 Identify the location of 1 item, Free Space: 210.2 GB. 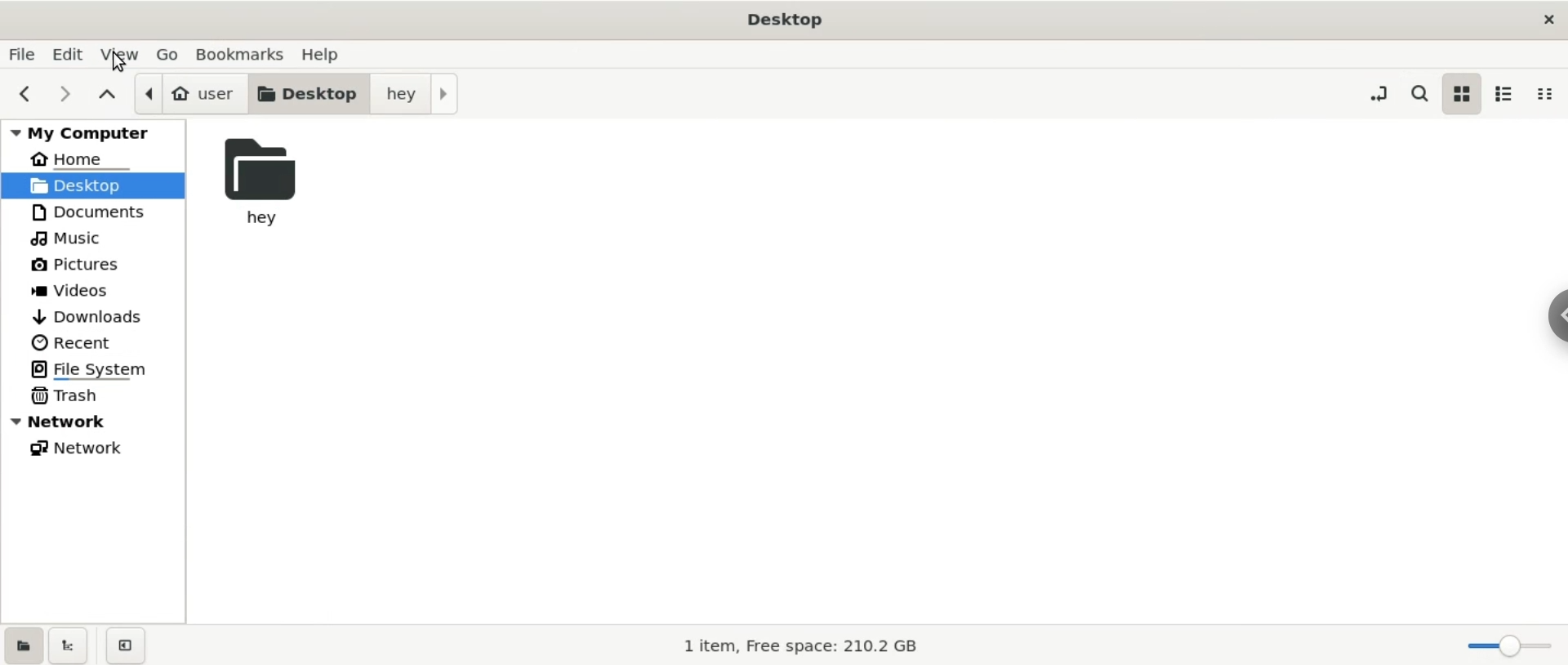
(819, 644).